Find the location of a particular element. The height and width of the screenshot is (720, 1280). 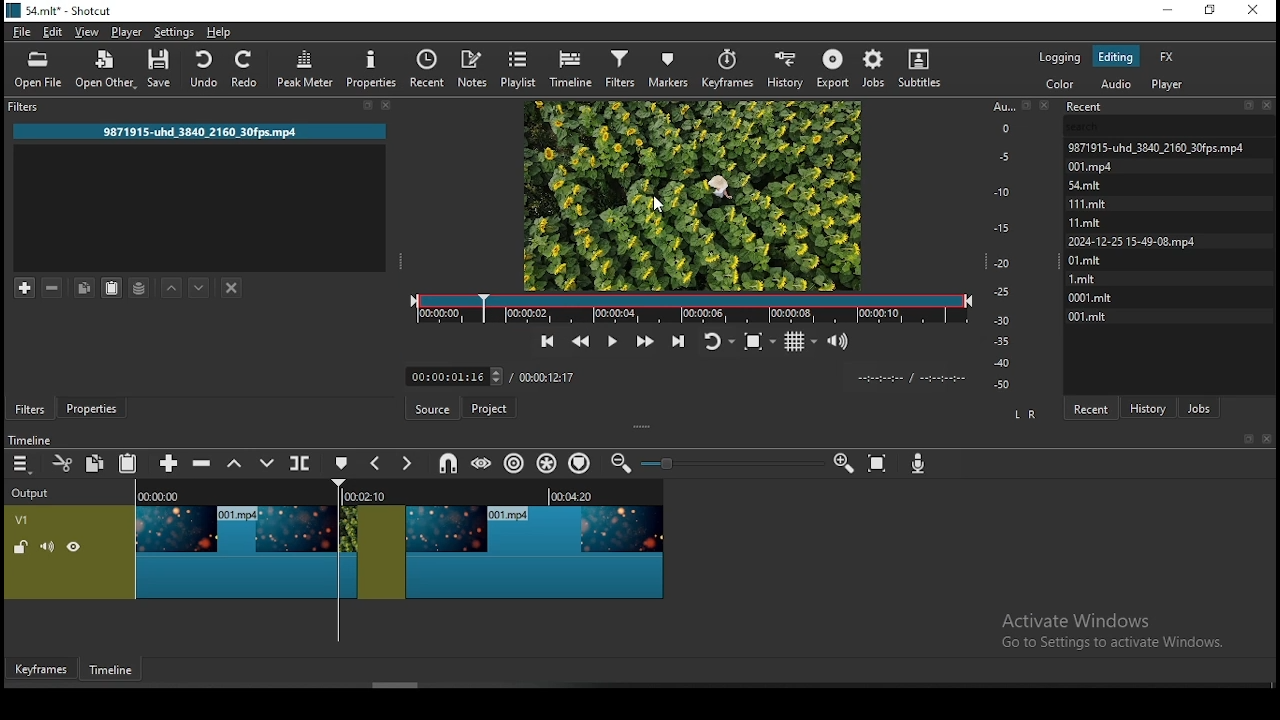

jobs is located at coordinates (1199, 408).